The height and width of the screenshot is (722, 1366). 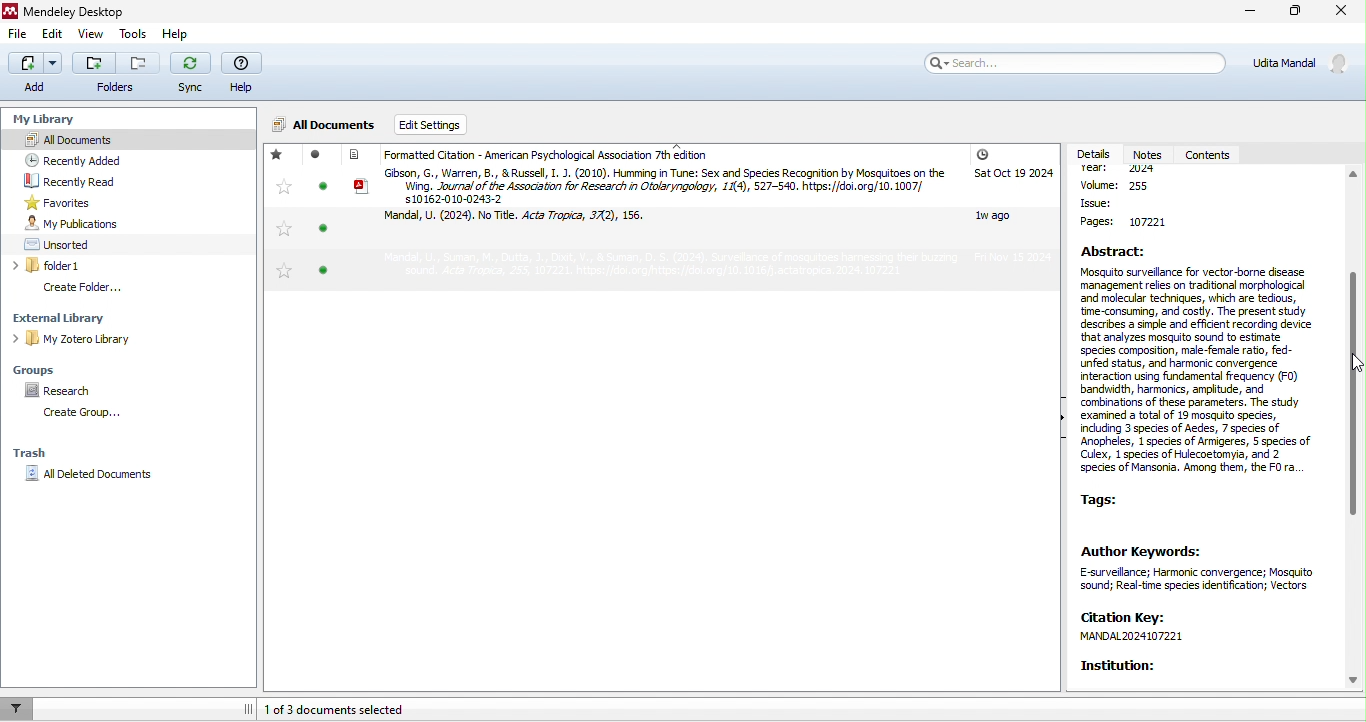 What do you see at coordinates (325, 126) in the screenshot?
I see `All documents` at bounding box center [325, 126].